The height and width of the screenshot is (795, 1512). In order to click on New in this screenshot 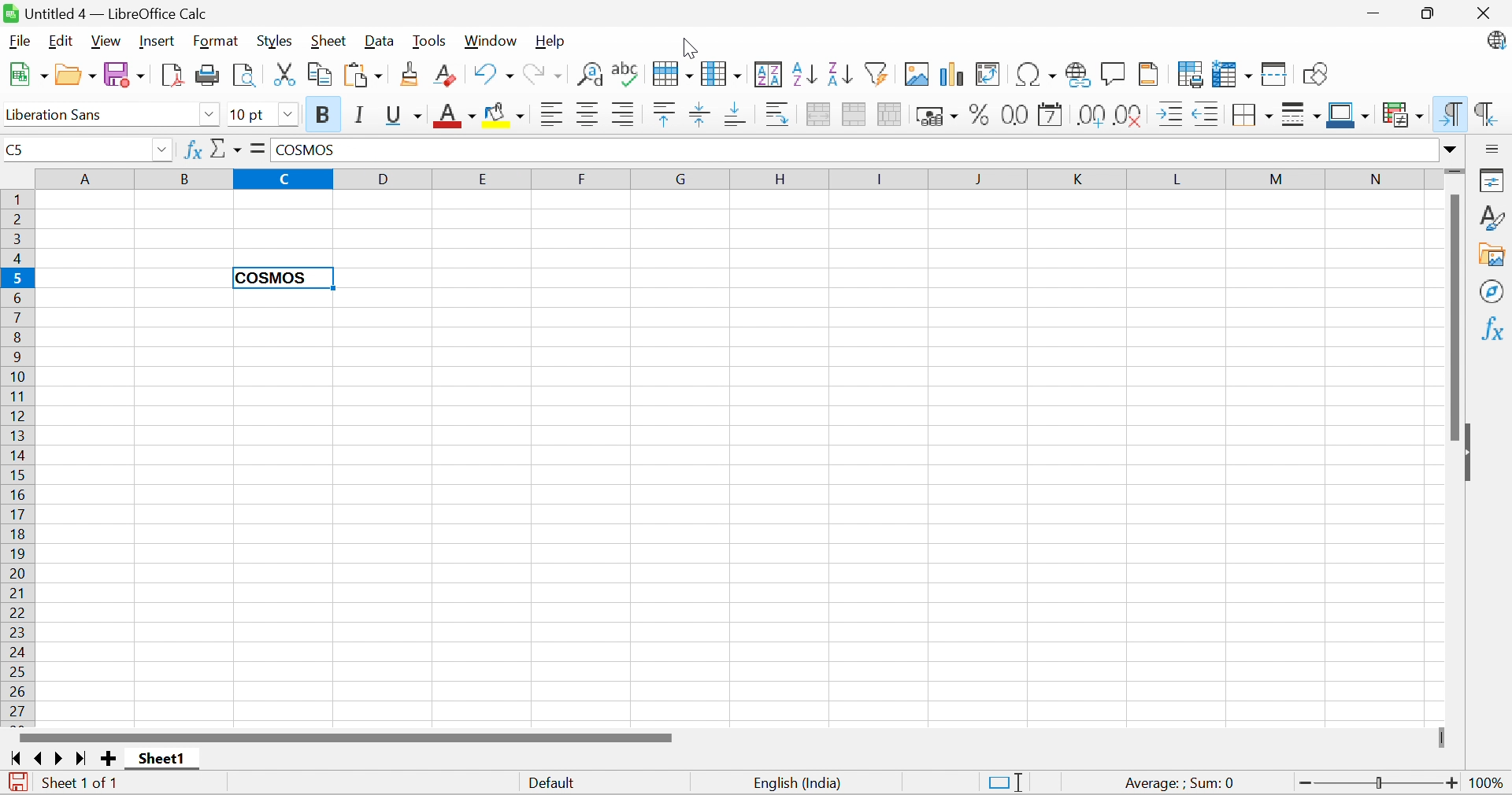, I will do `click(24, 73)`.